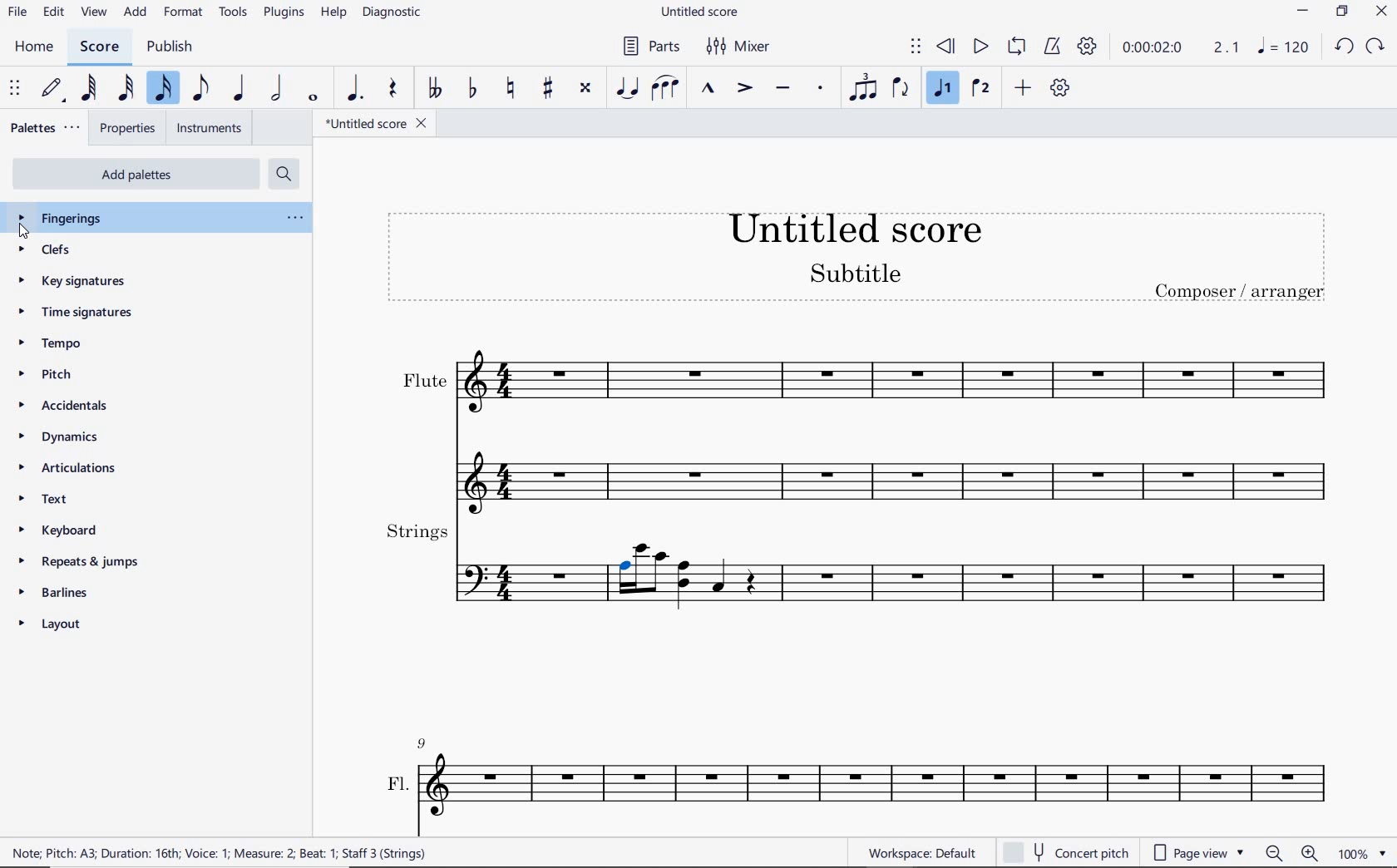  What do you see at coordinates (1088, 47) in the screenshot?
I see `playback settings` at bounding box center [1088, 47].